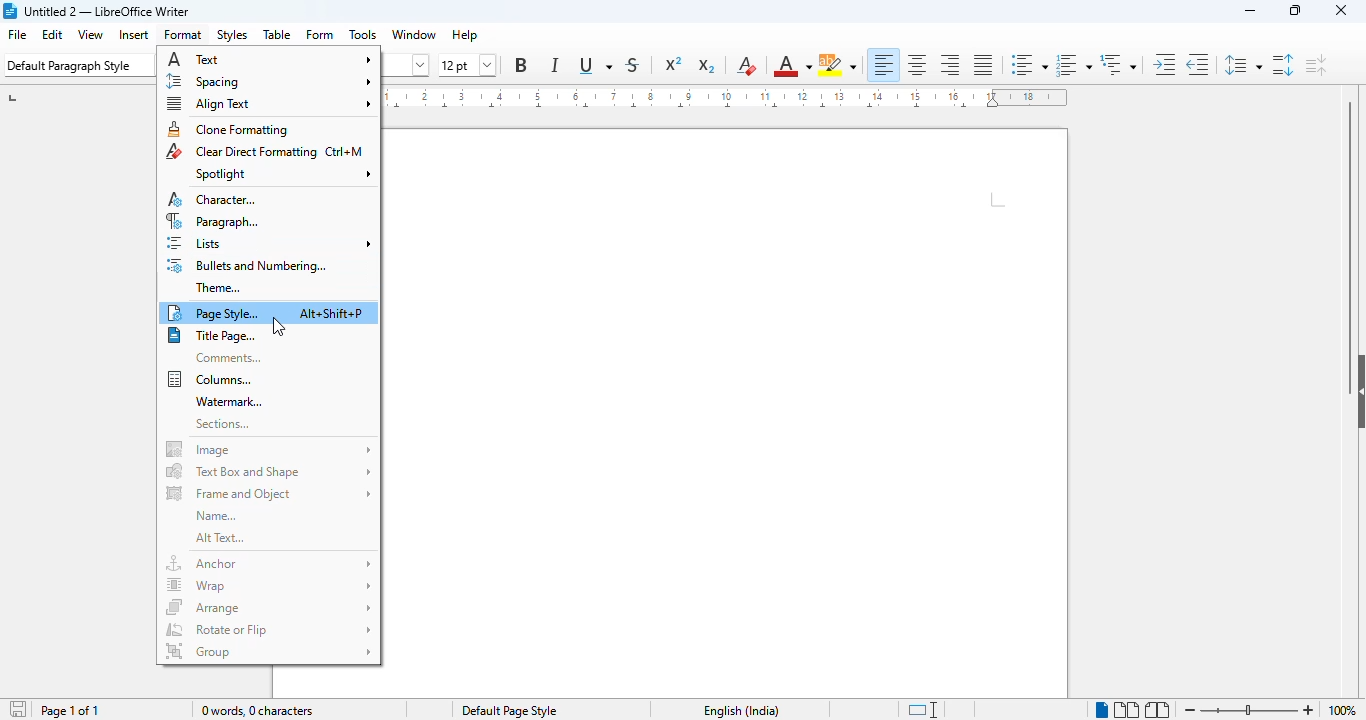 This screenshot has height=720, width=1366. I want to click on cursor, so click(278, 327).